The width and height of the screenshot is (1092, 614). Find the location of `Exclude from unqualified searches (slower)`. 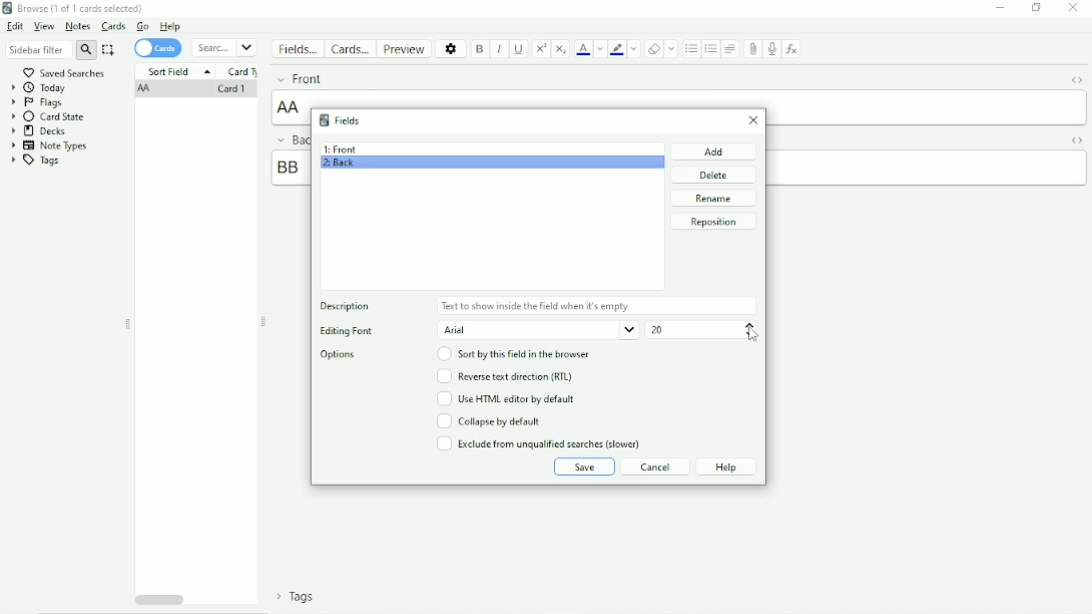

Exclude from unqualified searches (slower) is located at coordinates (539, 443).